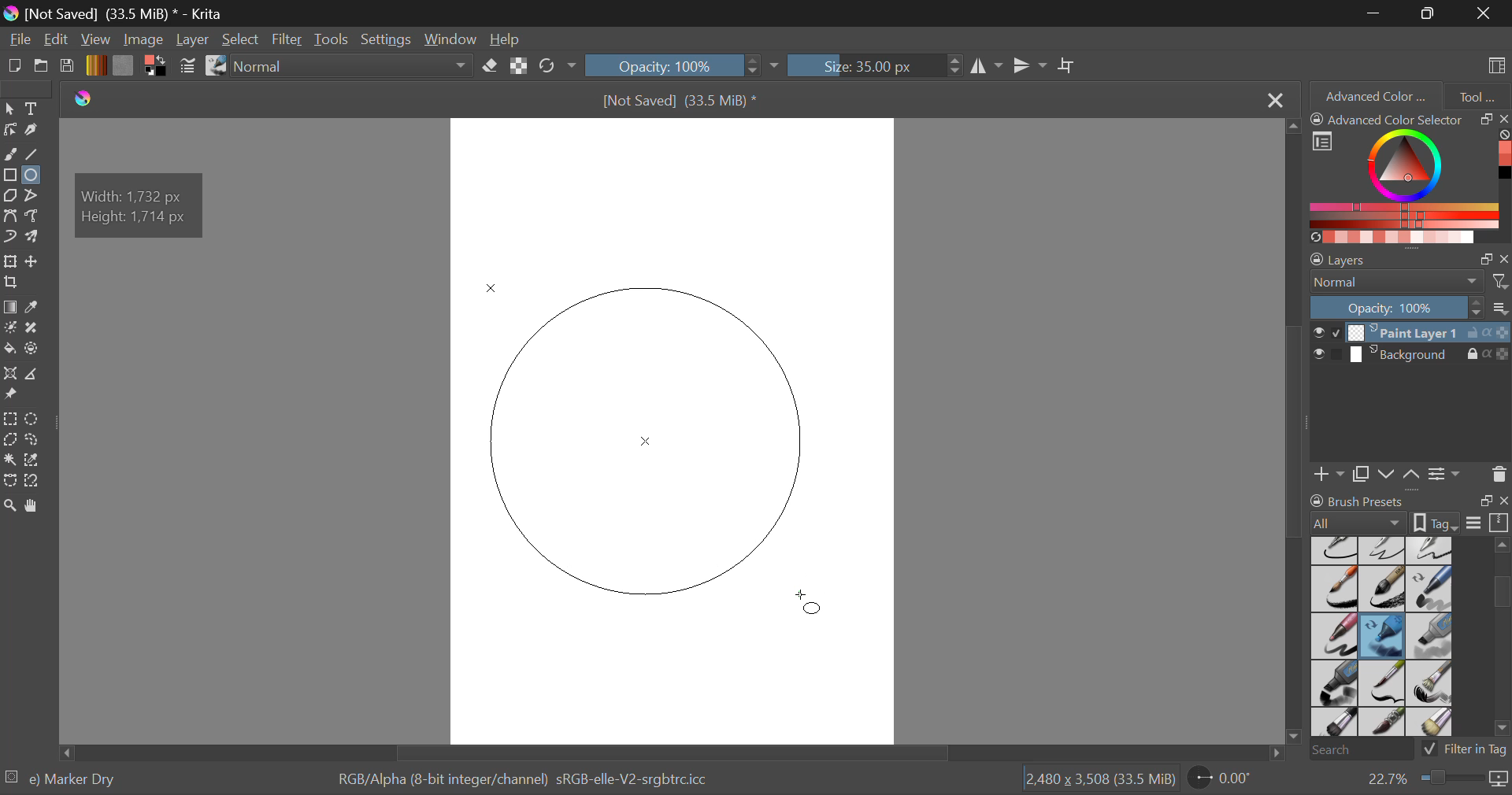 The image size is (1512, 795). I want to click on Copy, so click(1364, 471).